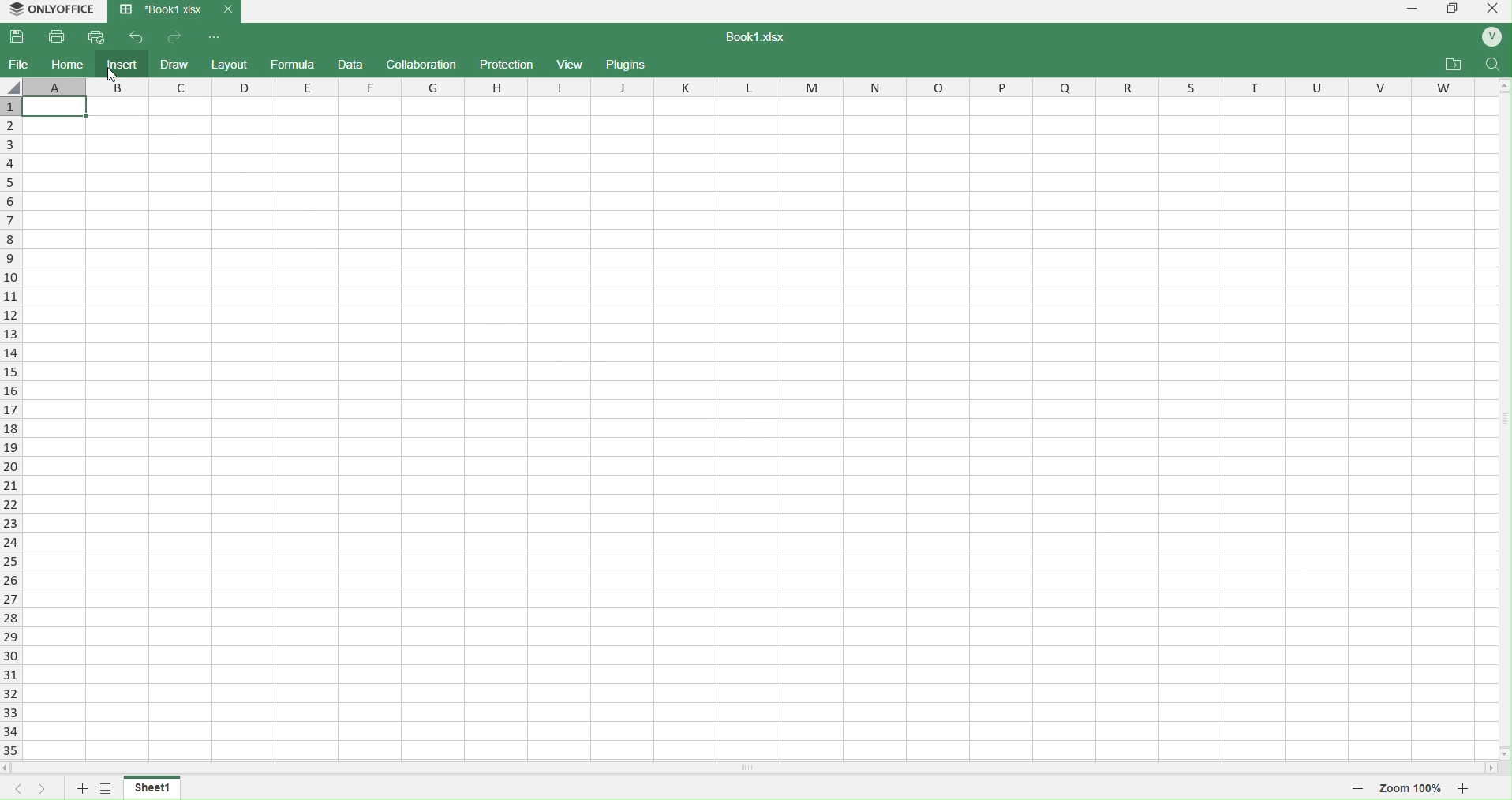 Image resolution: width=1512 pixels, height=800 pixels. Describe the element at coordinates (226, 9) in the screenshot. I see `close current tab` at that location.